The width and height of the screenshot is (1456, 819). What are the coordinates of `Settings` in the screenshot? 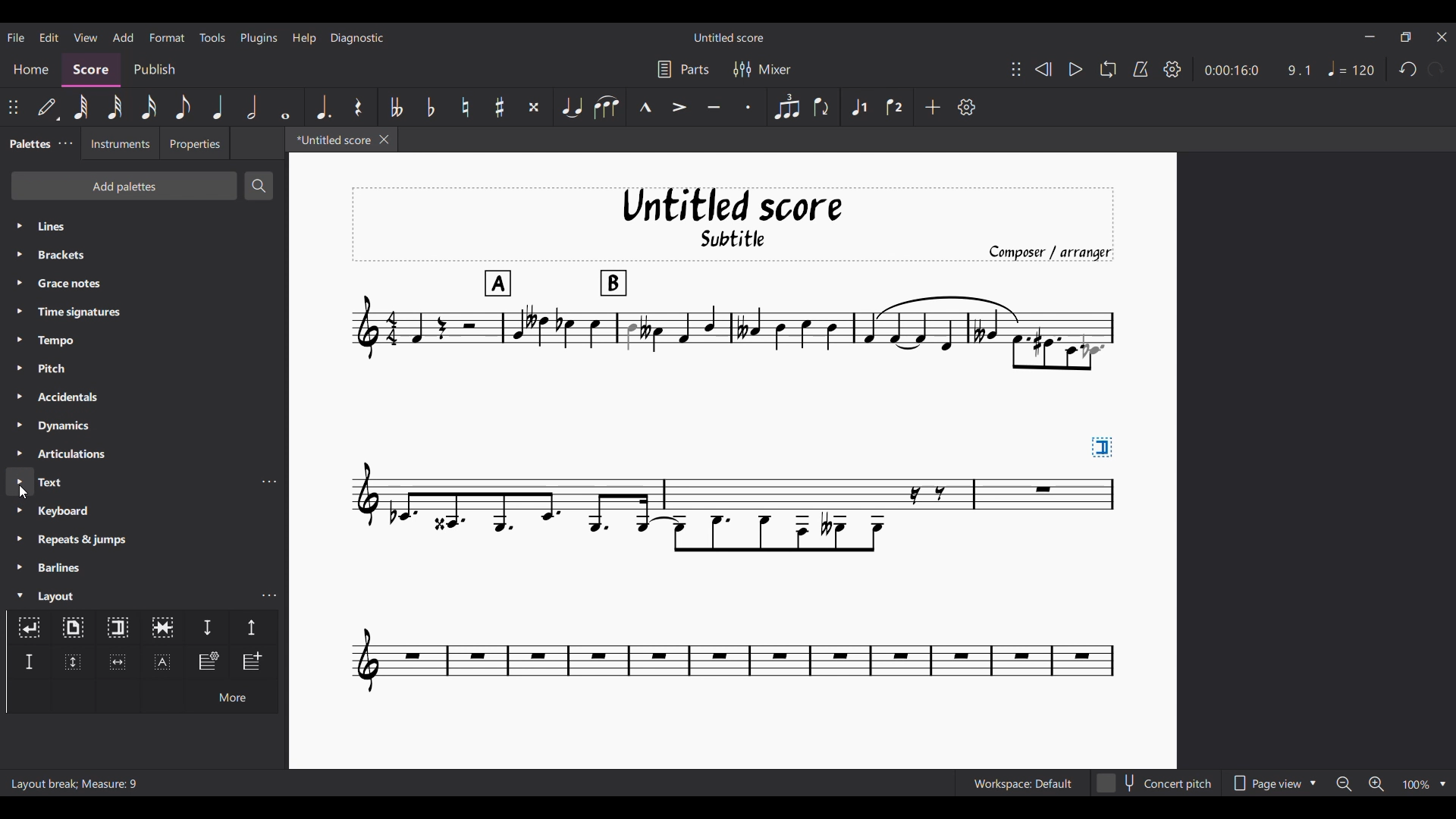 It's located at (1172, 69).